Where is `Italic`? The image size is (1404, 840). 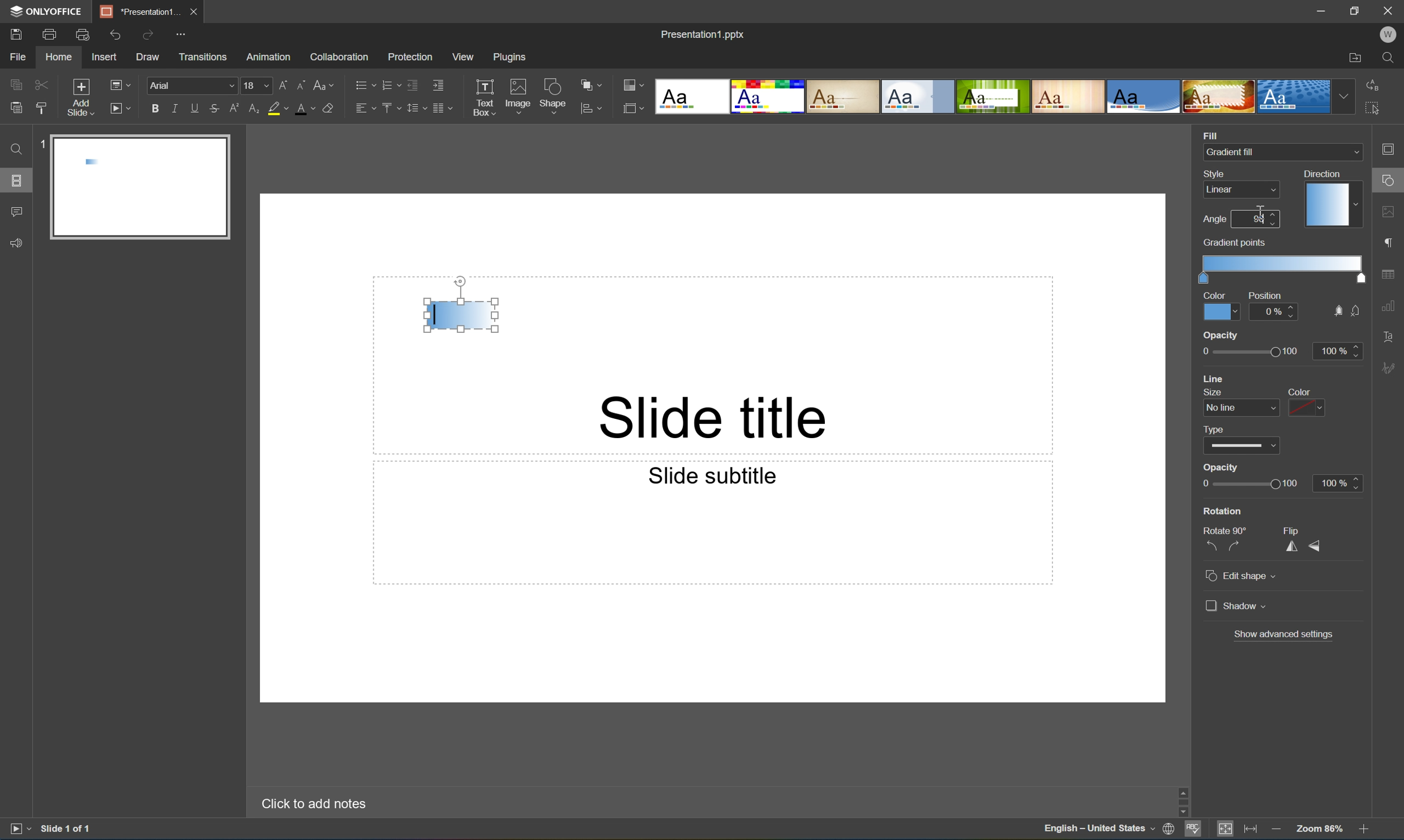
Italic is located at coordinates (174, 109).